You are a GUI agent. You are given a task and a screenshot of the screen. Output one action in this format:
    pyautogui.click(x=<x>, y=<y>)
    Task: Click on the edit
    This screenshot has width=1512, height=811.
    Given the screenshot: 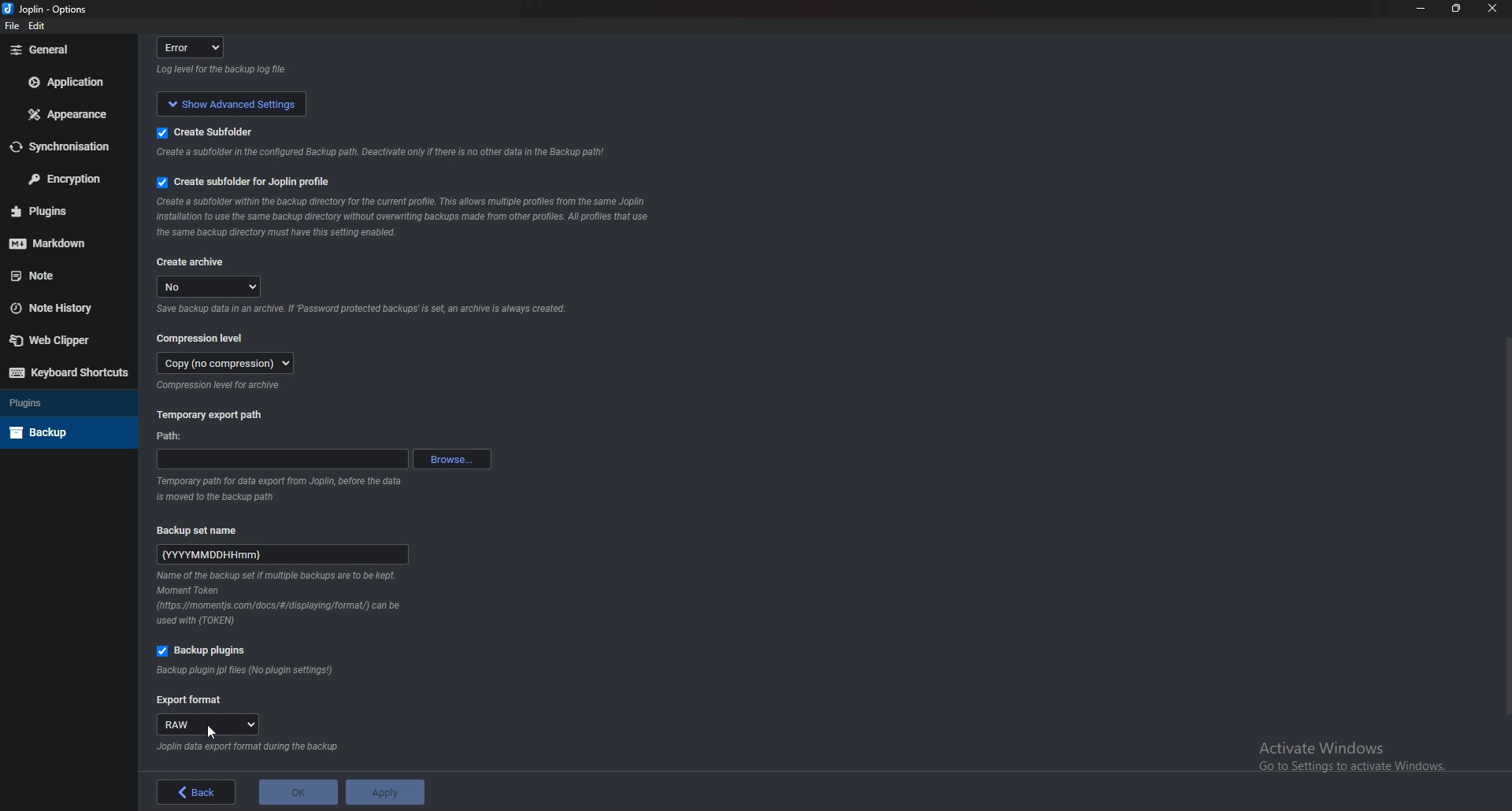 What is the action you would take?
    pyautogui.click(x=39, y=28)
    